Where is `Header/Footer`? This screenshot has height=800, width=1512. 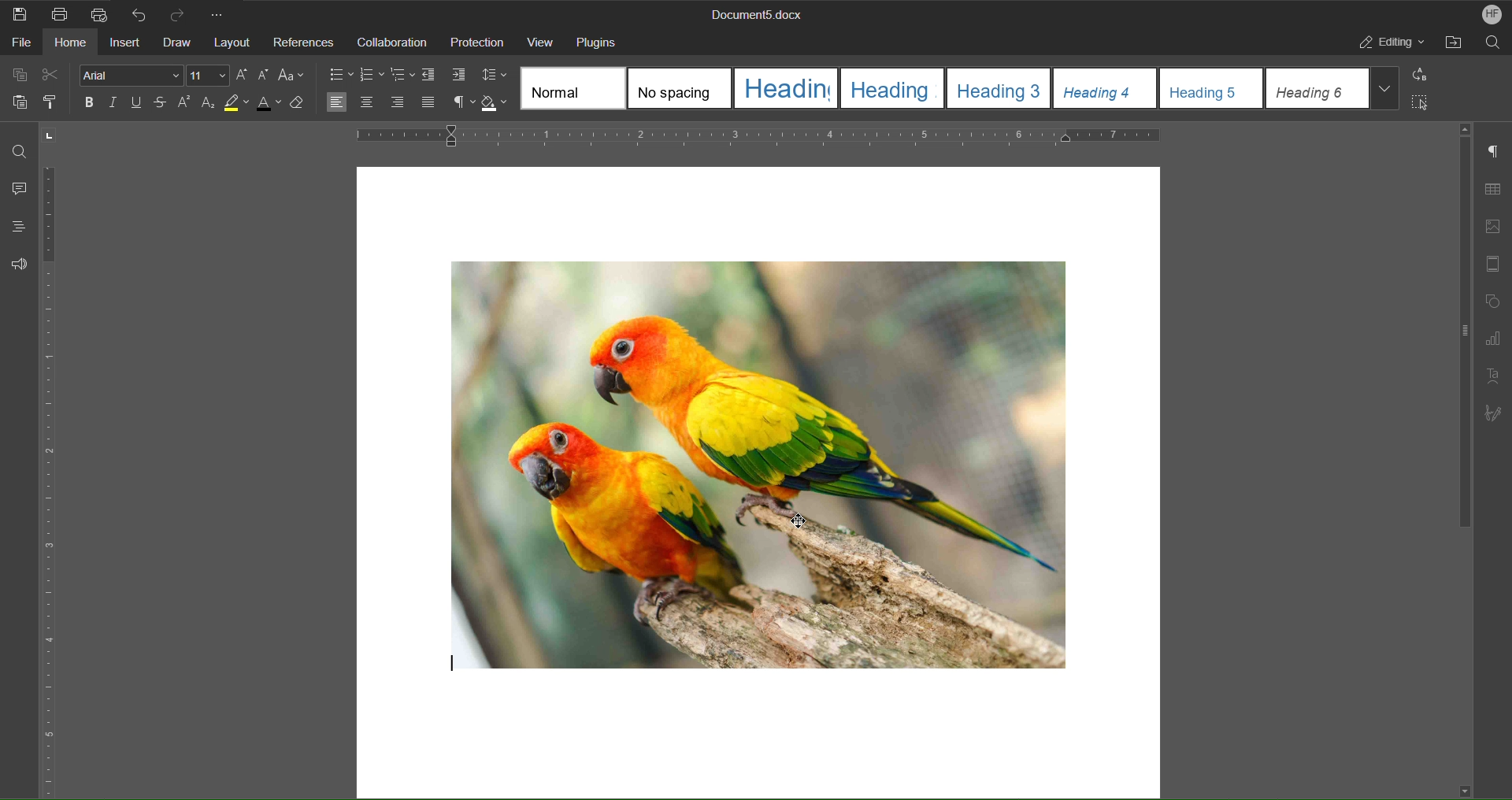
Header/Footer is located at coordinates (1492, 267).